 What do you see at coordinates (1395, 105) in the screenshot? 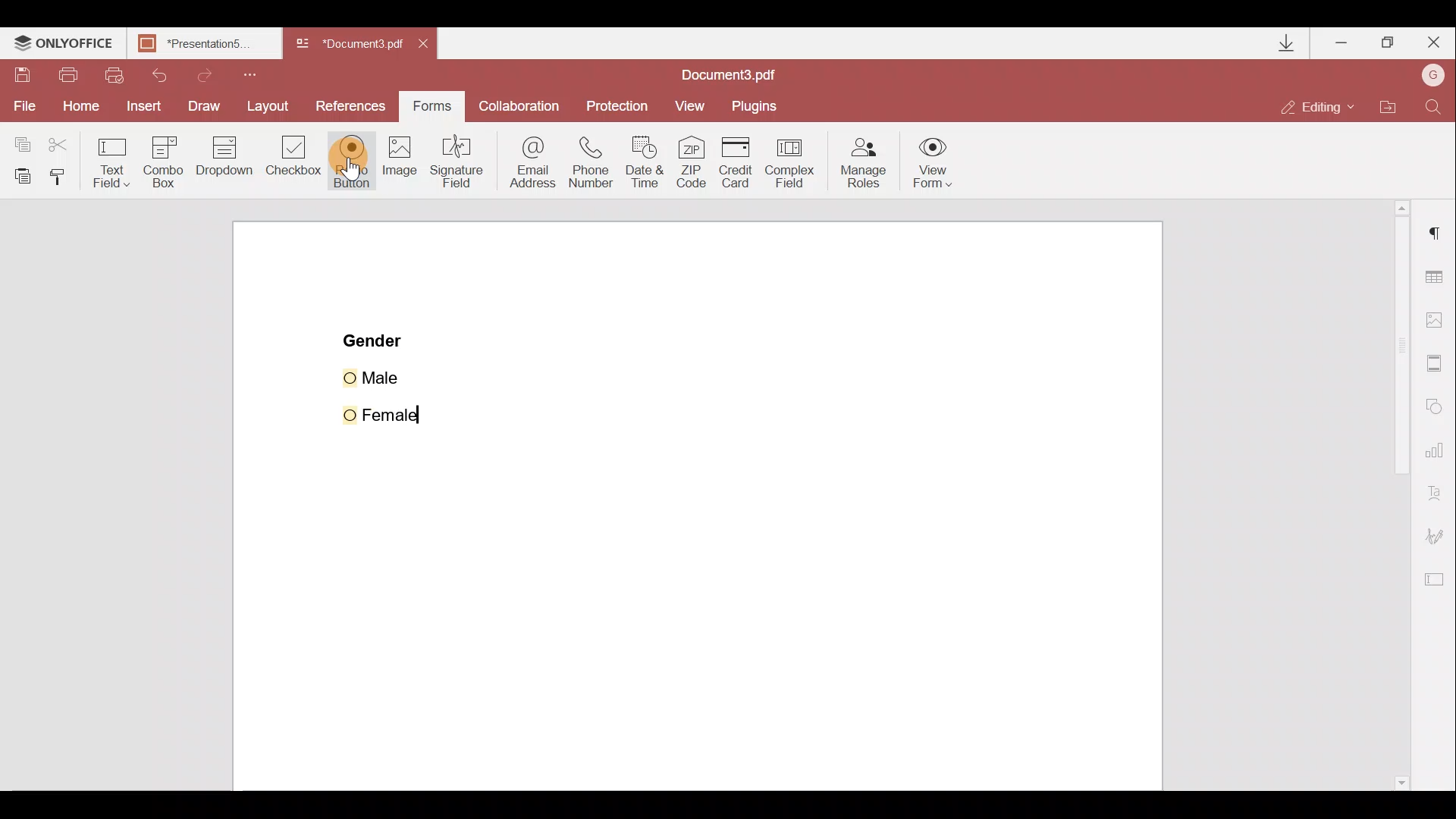
I see `Open file location` at bounding box center [1395, 105].